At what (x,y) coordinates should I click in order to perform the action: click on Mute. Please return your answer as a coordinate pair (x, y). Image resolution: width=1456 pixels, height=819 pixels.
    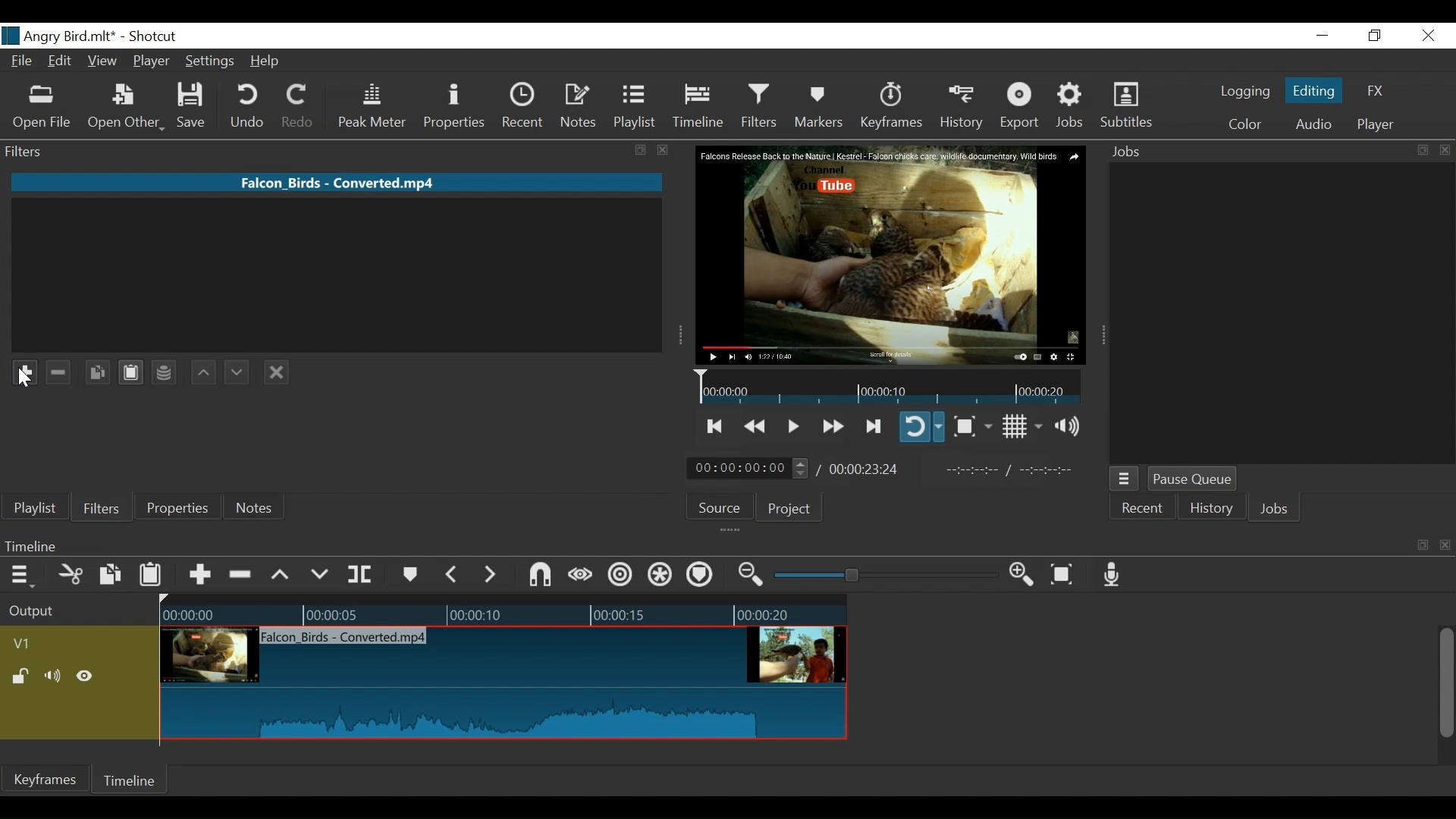
    Looking at the image, I should click on (55, 677).